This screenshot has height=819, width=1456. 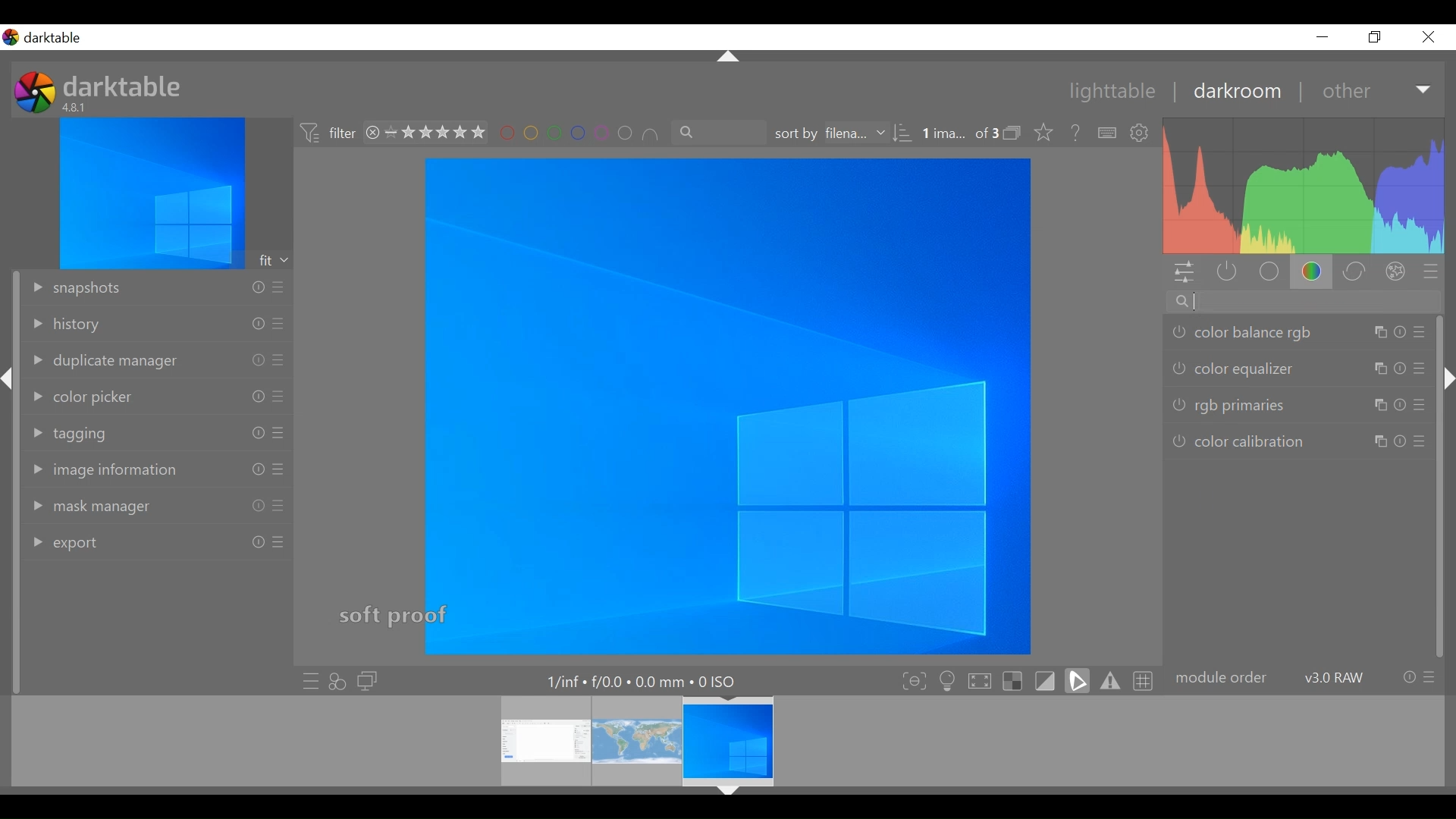 I want to click on presets, so click(x=279, y=324).